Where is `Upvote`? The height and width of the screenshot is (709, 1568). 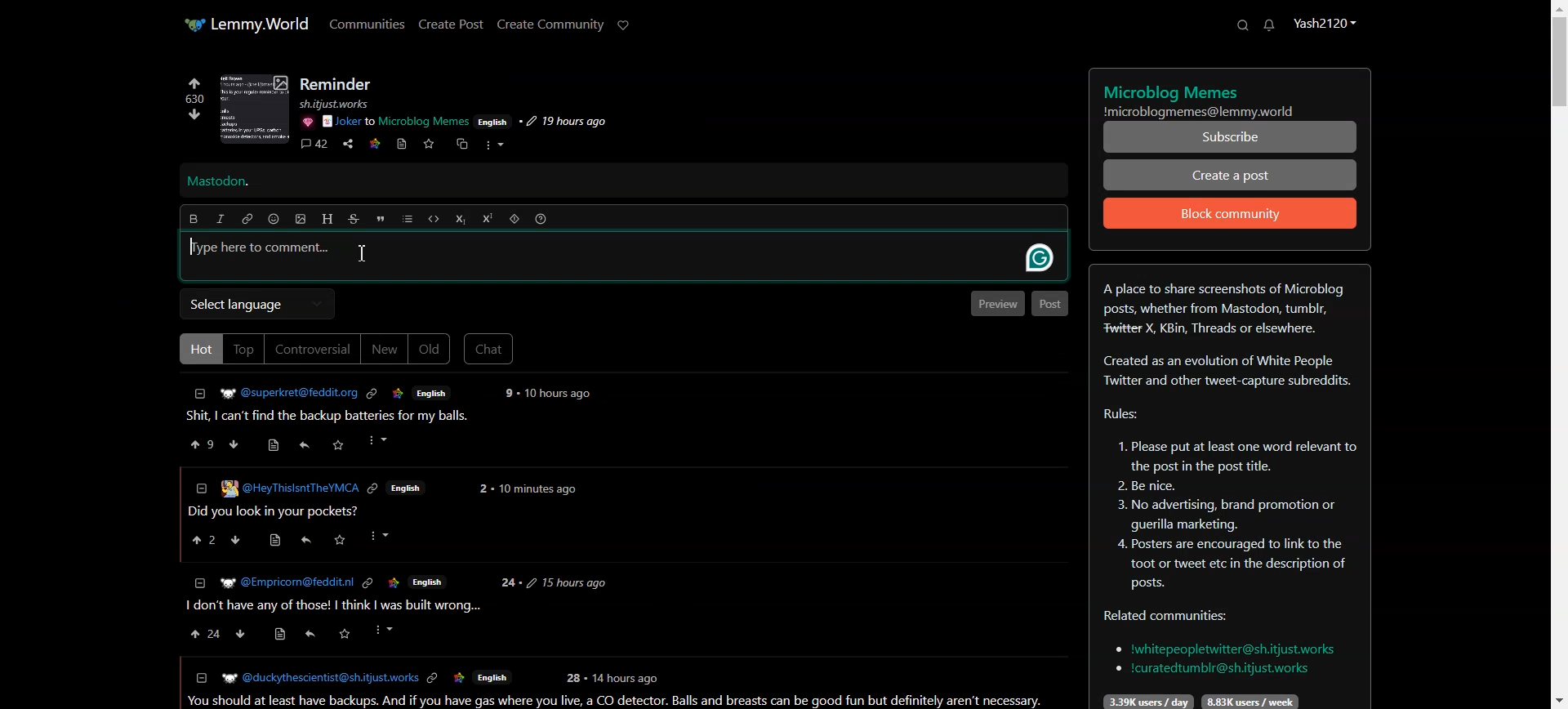
Upvote is located at coordinates (203, 444).